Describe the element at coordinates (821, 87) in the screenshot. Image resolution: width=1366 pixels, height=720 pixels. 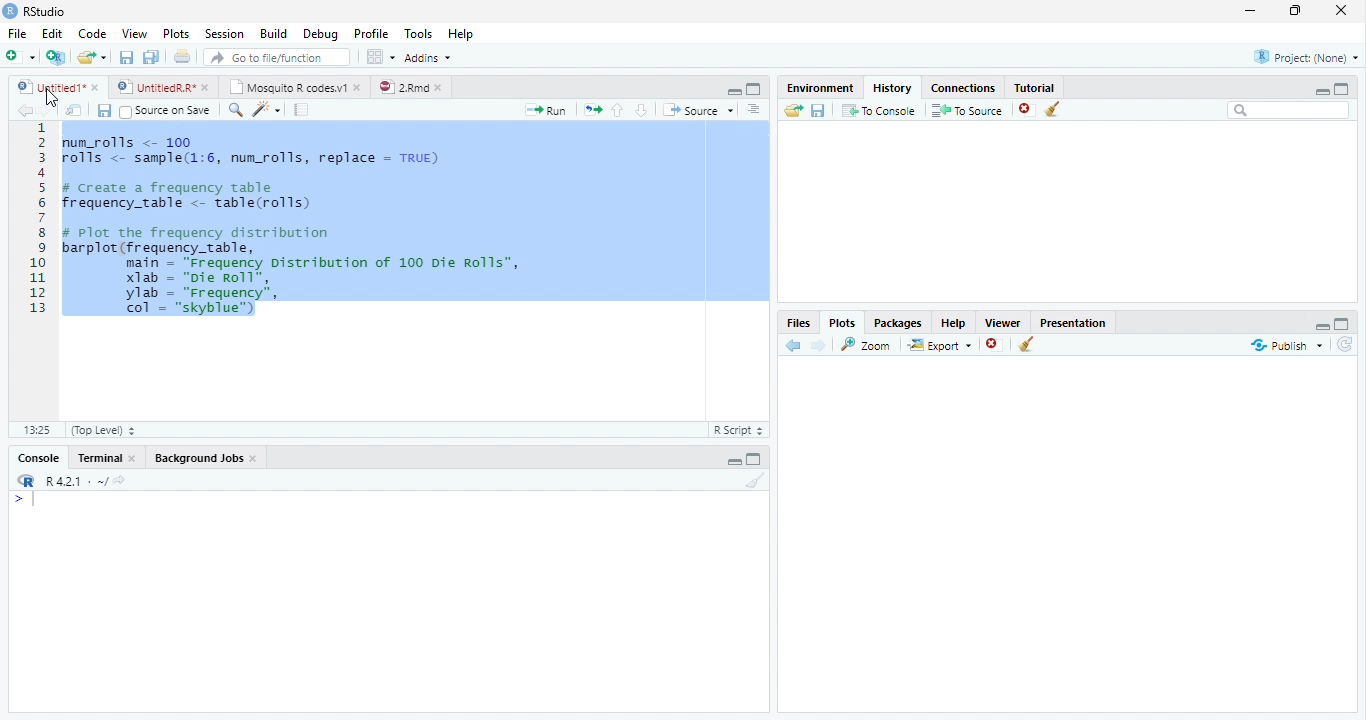
I see `Environment` at that location.